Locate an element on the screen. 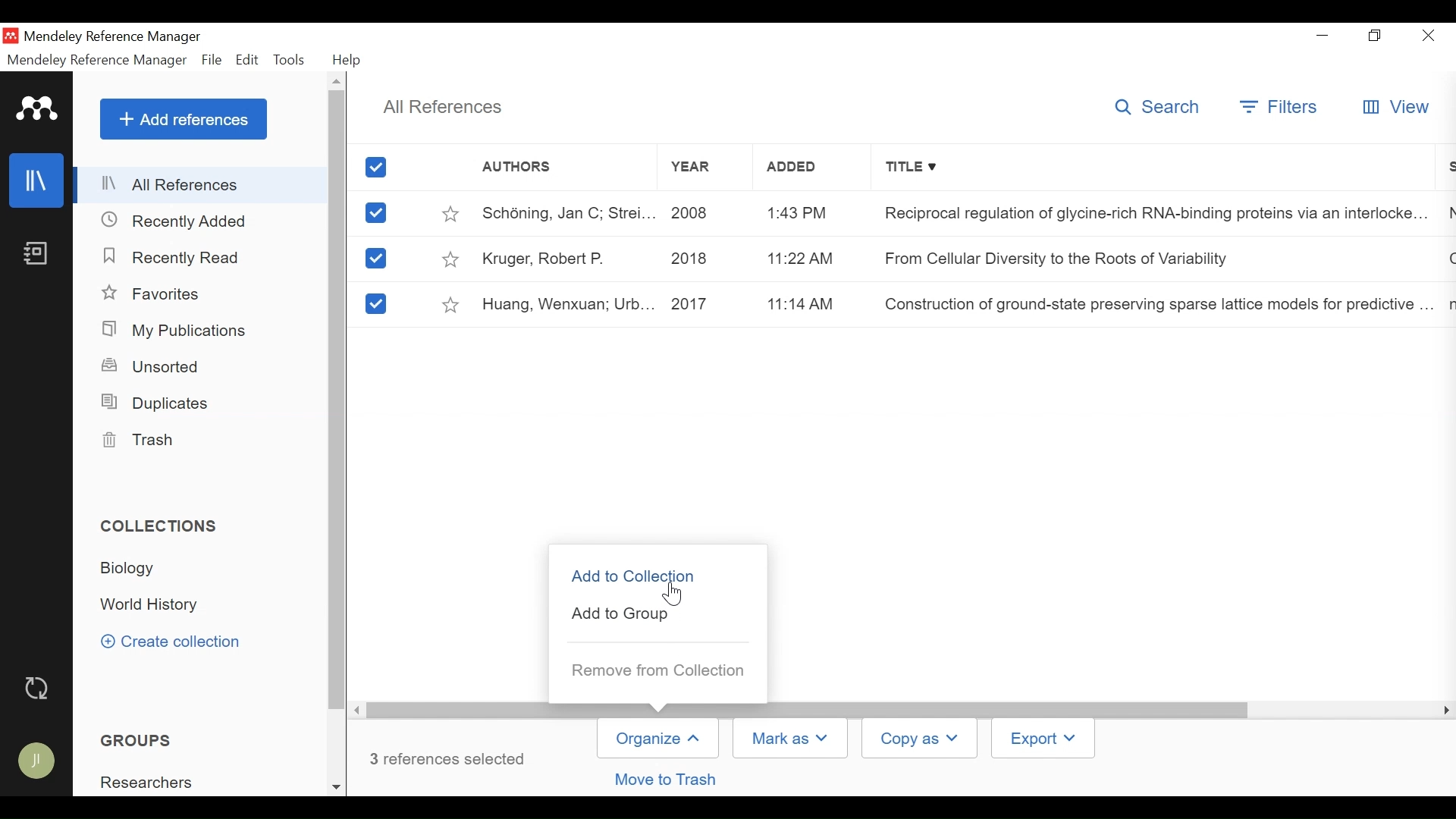 This screenshot has width=1456, height=819. Collection is located at coordinates (152, 781).